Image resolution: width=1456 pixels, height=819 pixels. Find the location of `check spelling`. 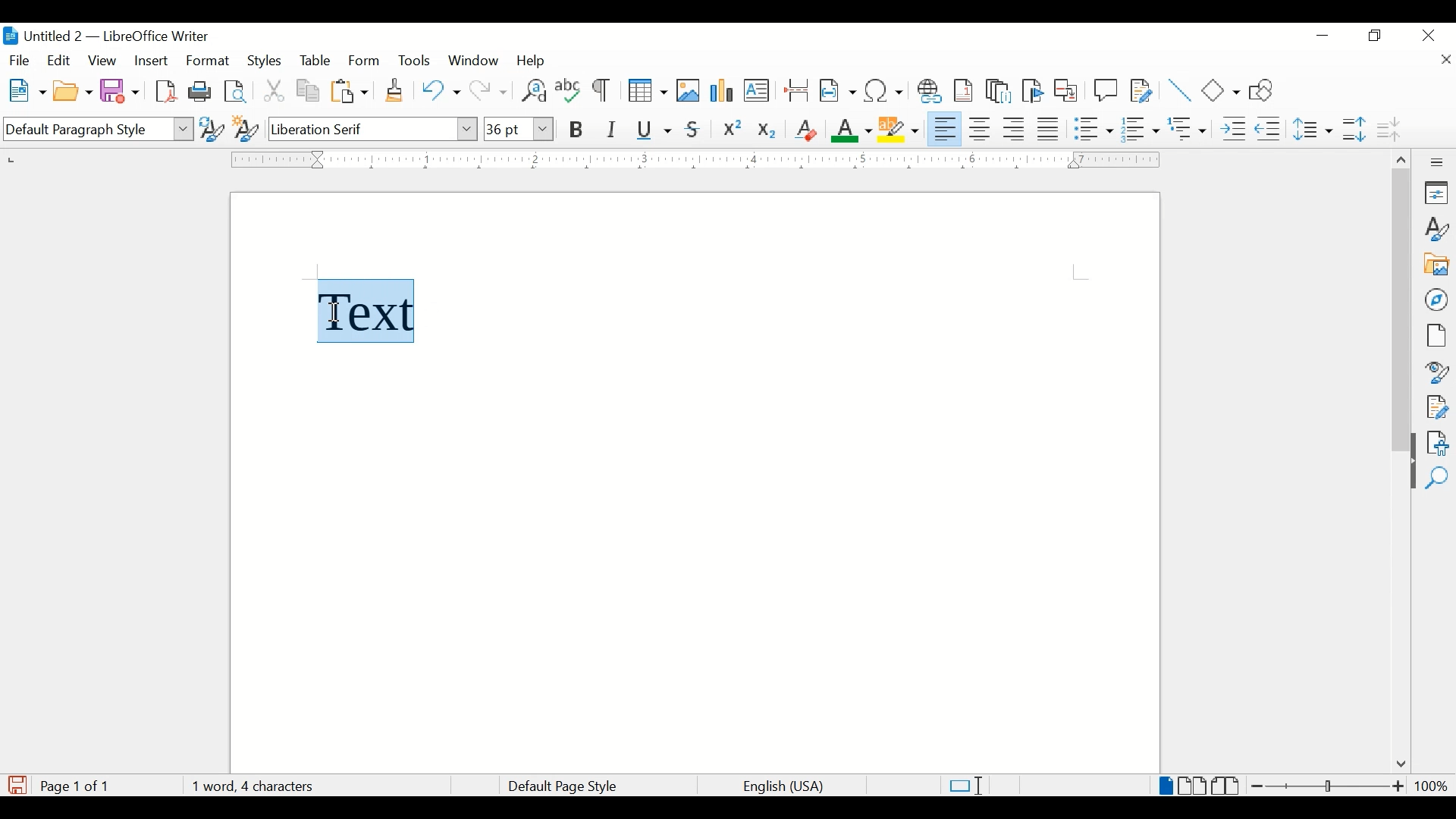

check spelling is located at coordinates (569, 89).